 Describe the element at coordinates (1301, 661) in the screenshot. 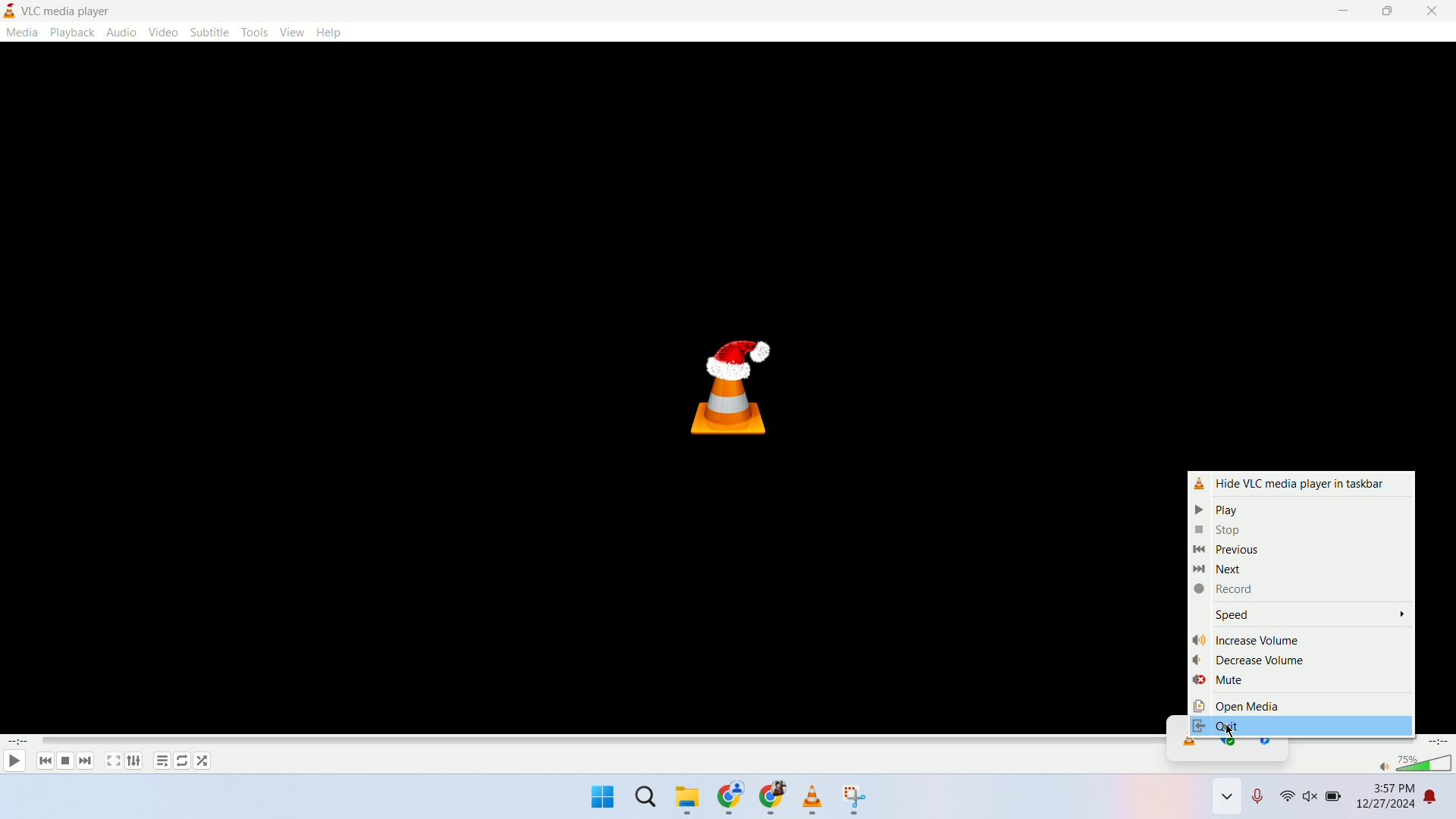

I see `decrease volume` at that location.